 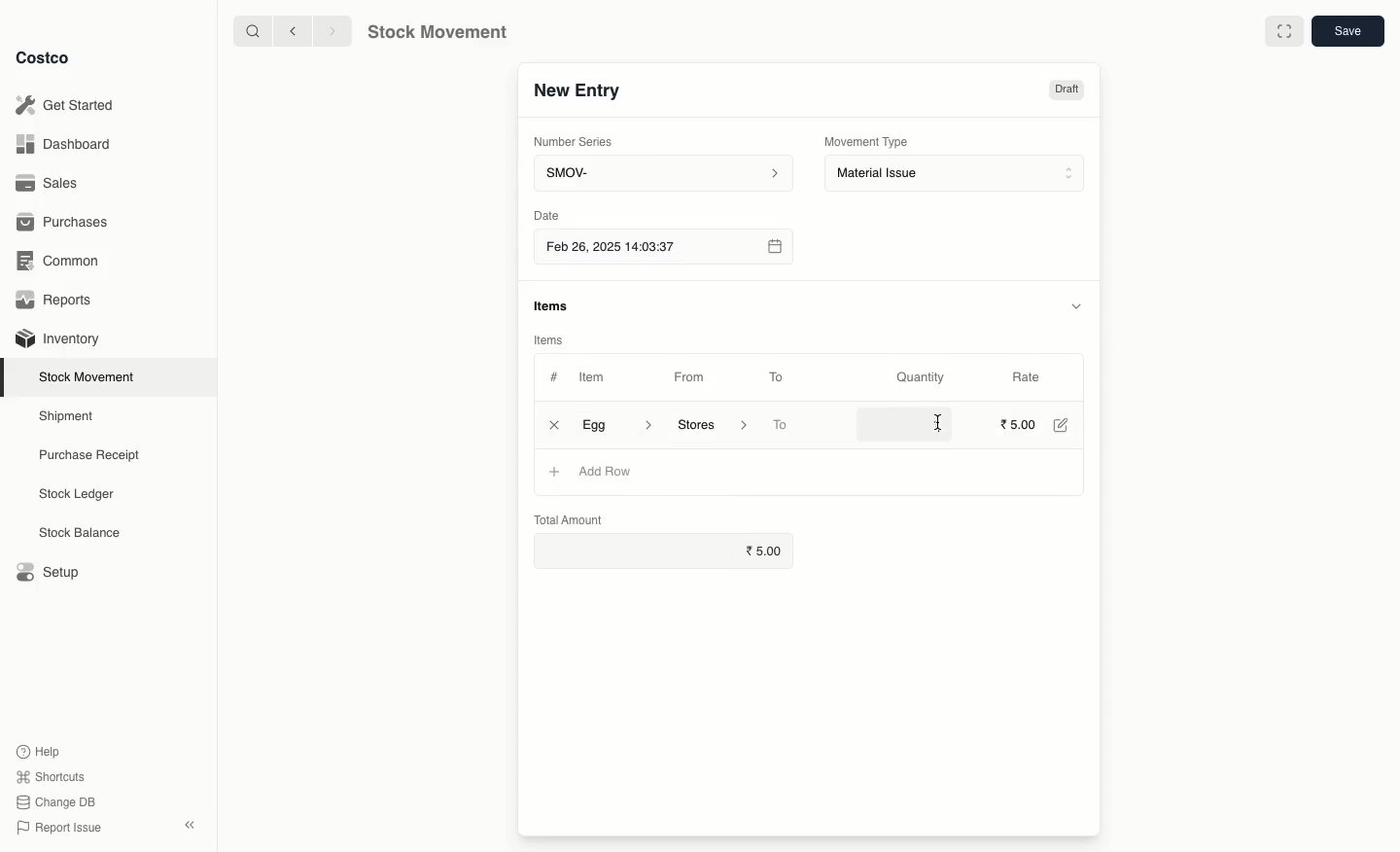 What do you see at coordinates (90, 376) in the screenshot?
I see `Stock Movement` at bounding box center [90, 376].